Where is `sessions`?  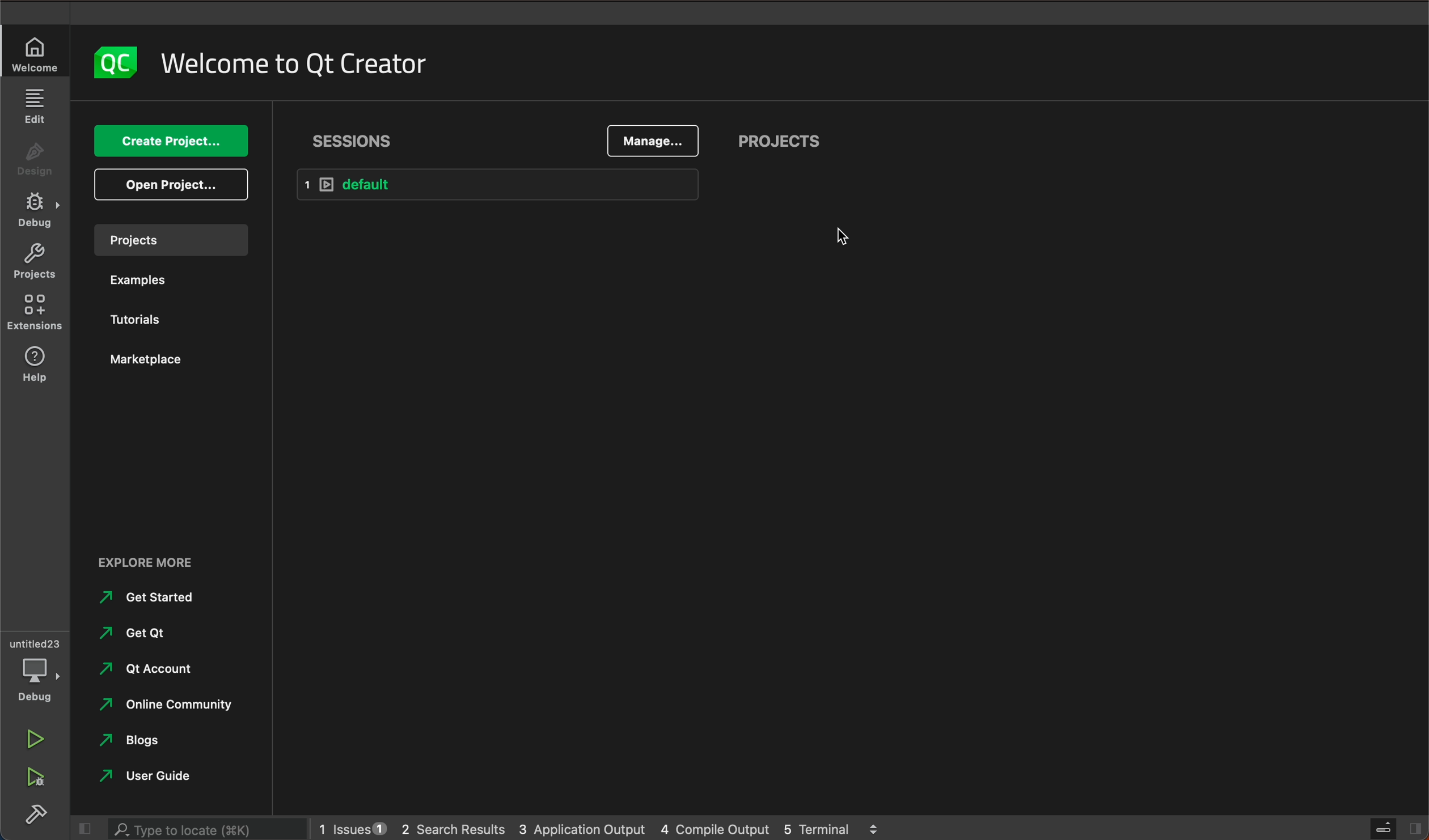
sessions is located at coordinates (364, 138).